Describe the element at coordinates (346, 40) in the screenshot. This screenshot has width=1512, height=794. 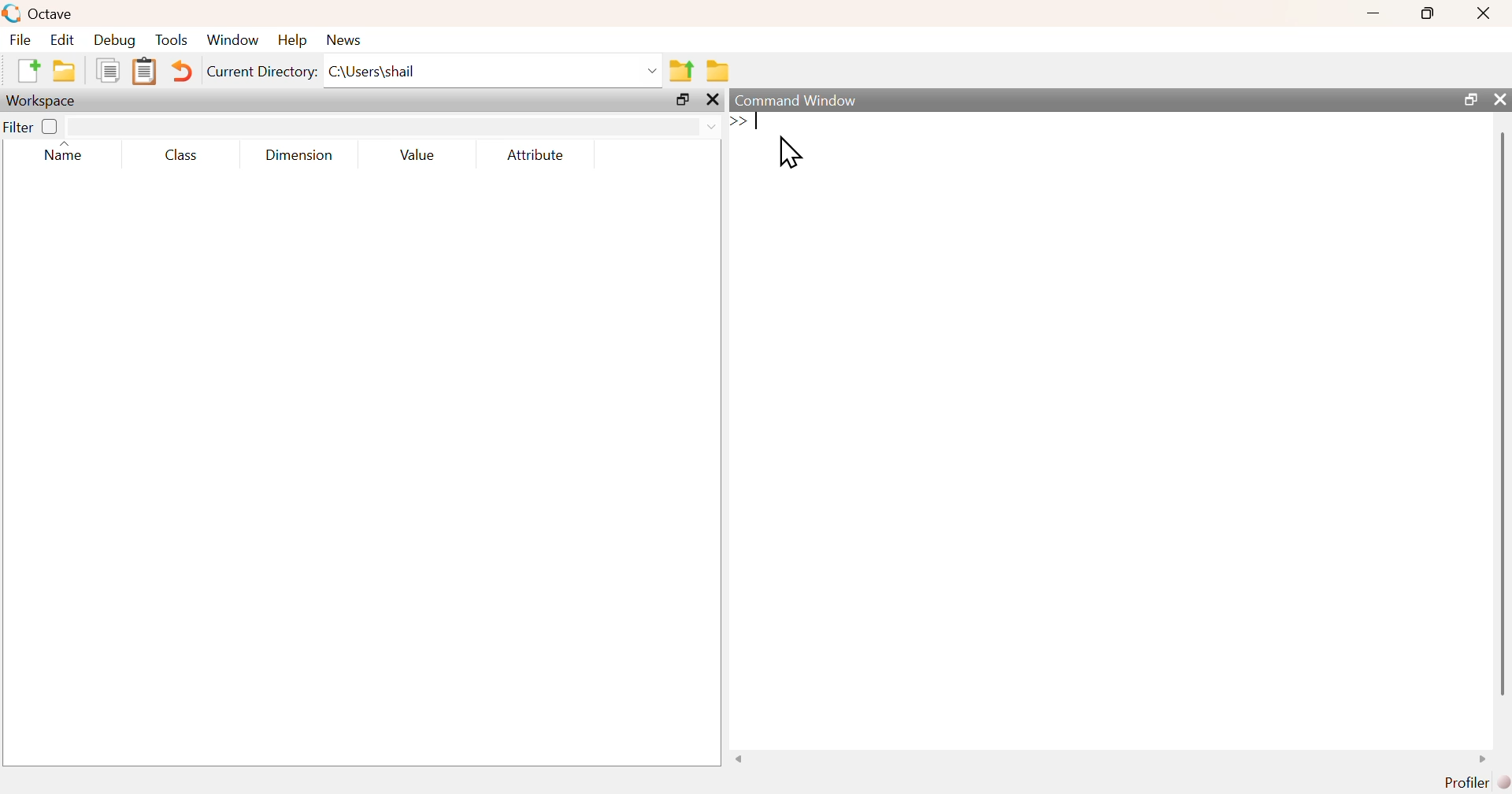
I see `News` at that location.